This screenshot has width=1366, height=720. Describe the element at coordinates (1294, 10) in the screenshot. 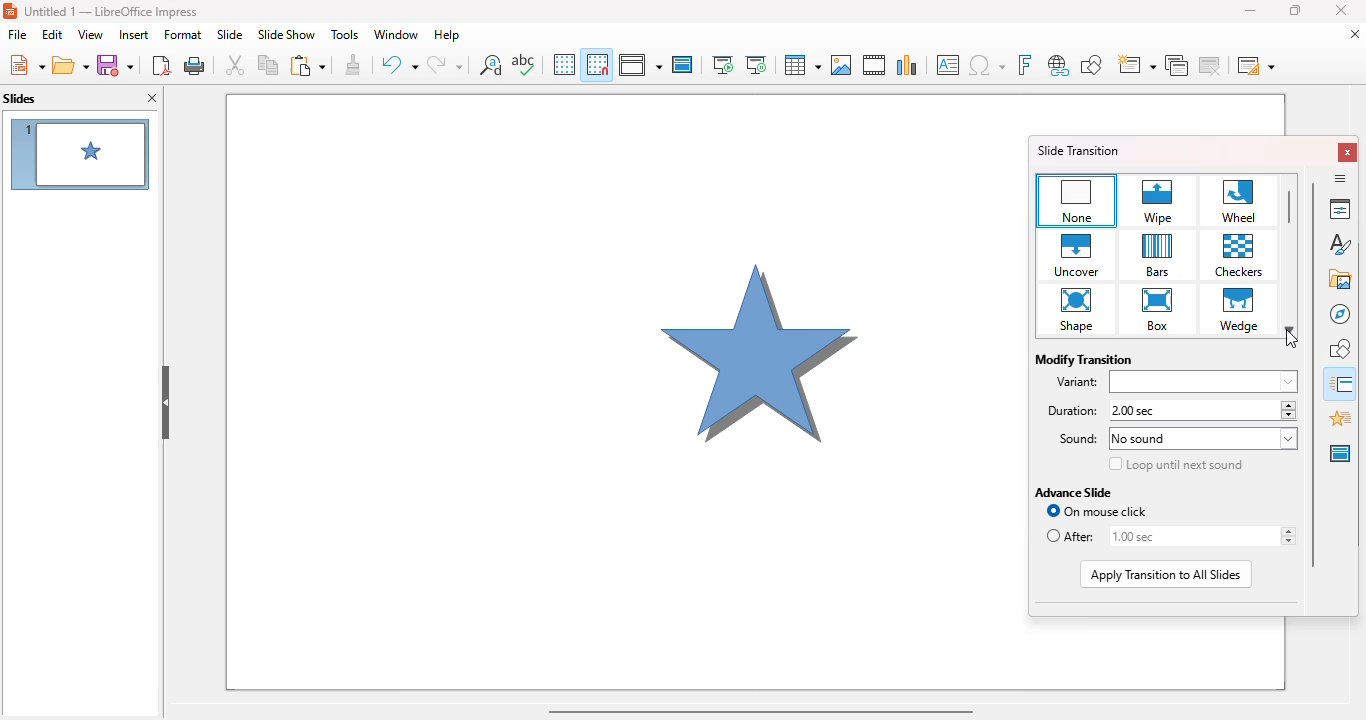

I see `maximize` at that location.